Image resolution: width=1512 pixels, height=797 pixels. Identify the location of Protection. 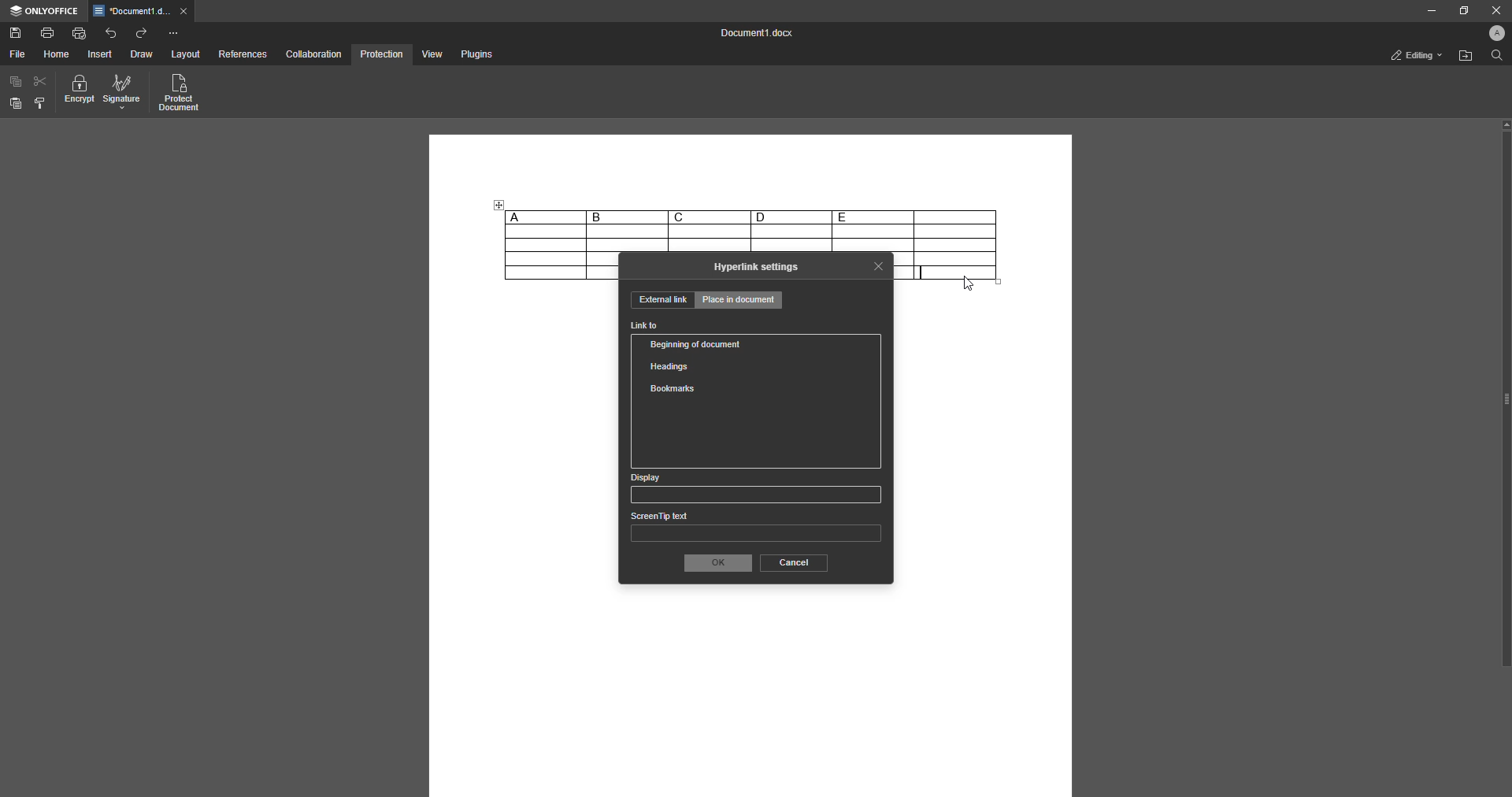
(381, 54).